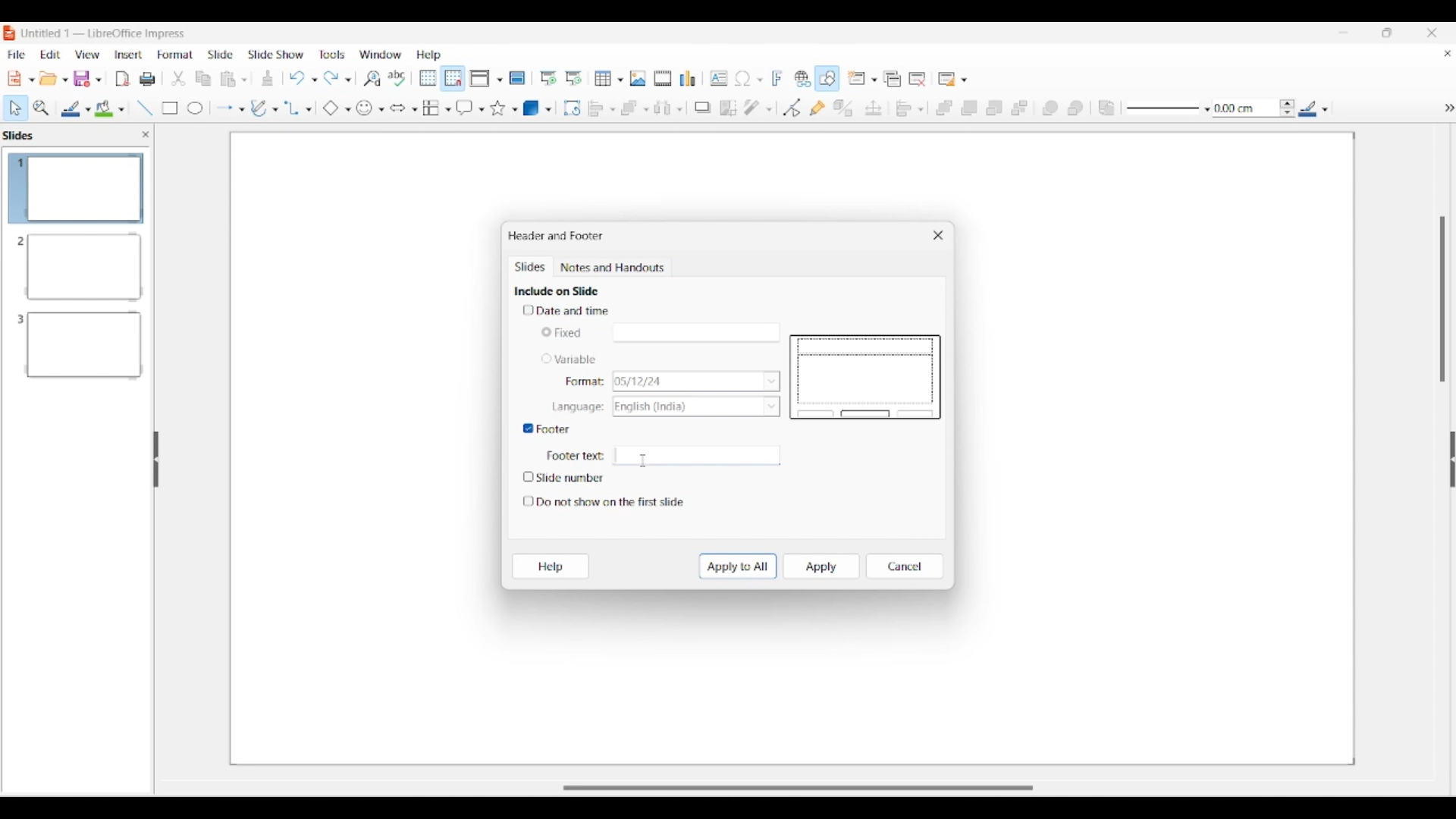 Image resolution: width=1456 pixels, height=819 pixels. I want to click on Cancel, so click(904, 566).